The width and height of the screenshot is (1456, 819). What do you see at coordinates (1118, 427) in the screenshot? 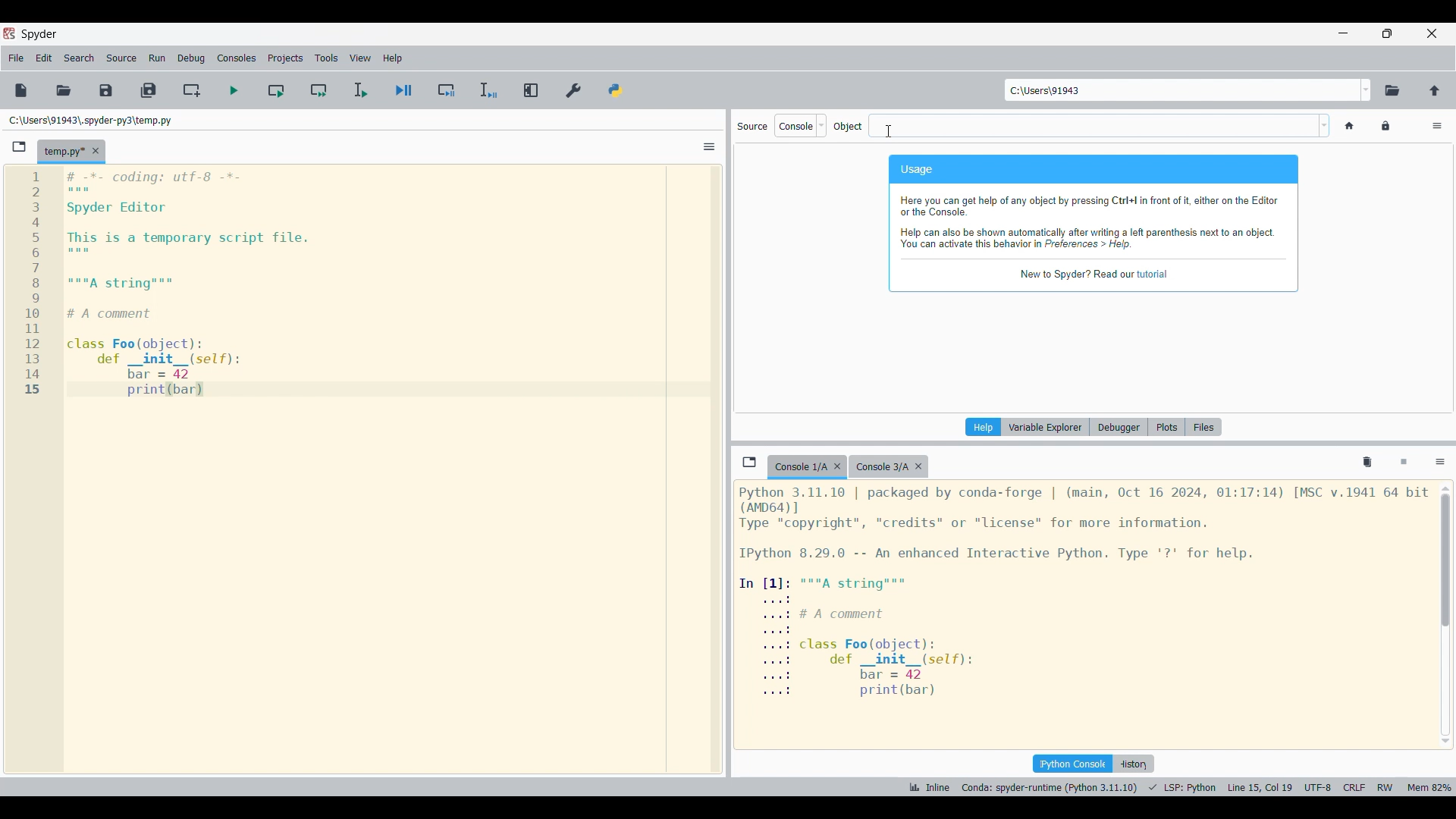
I see `Debugger` at bounding box center [1118, 427].